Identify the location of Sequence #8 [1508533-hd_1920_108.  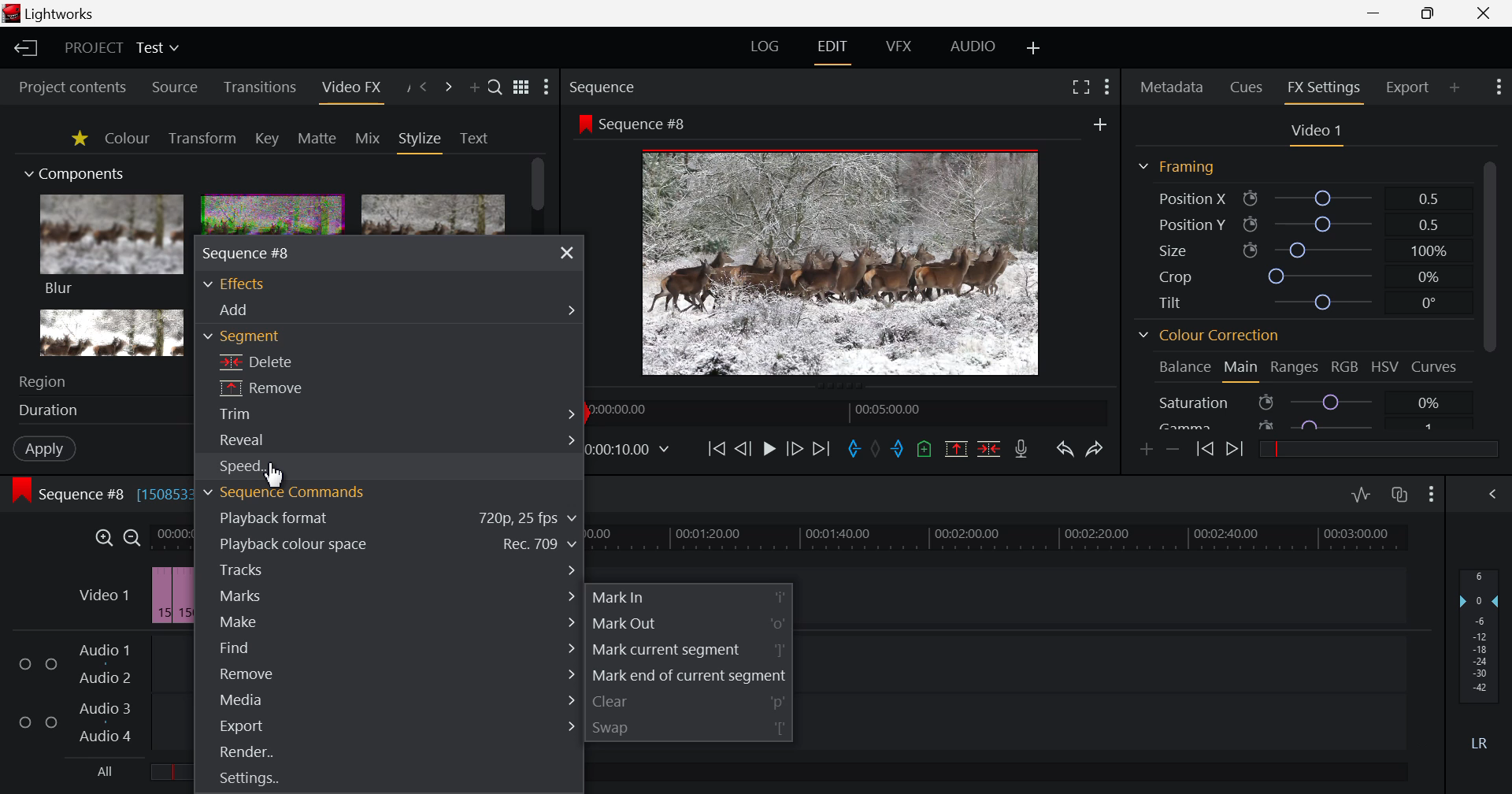
(94, 493).